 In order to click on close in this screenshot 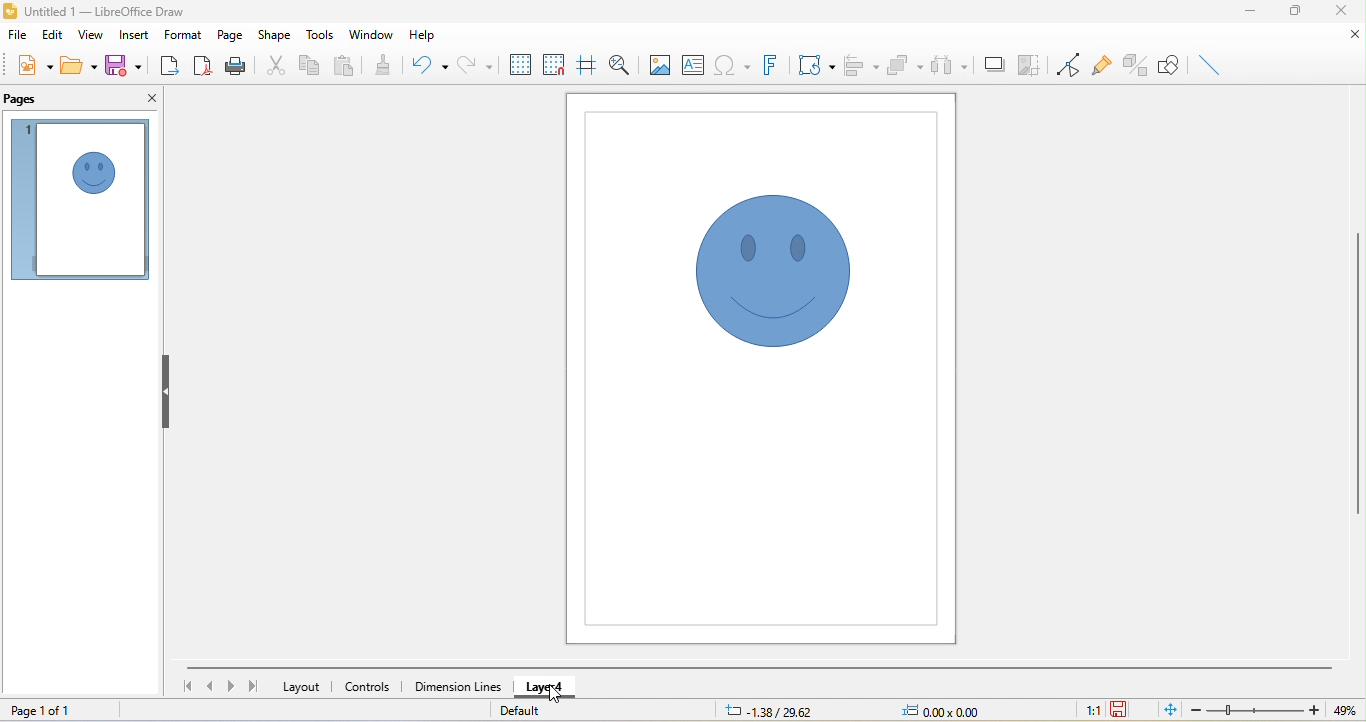, I will do `click(1340, 11)`.